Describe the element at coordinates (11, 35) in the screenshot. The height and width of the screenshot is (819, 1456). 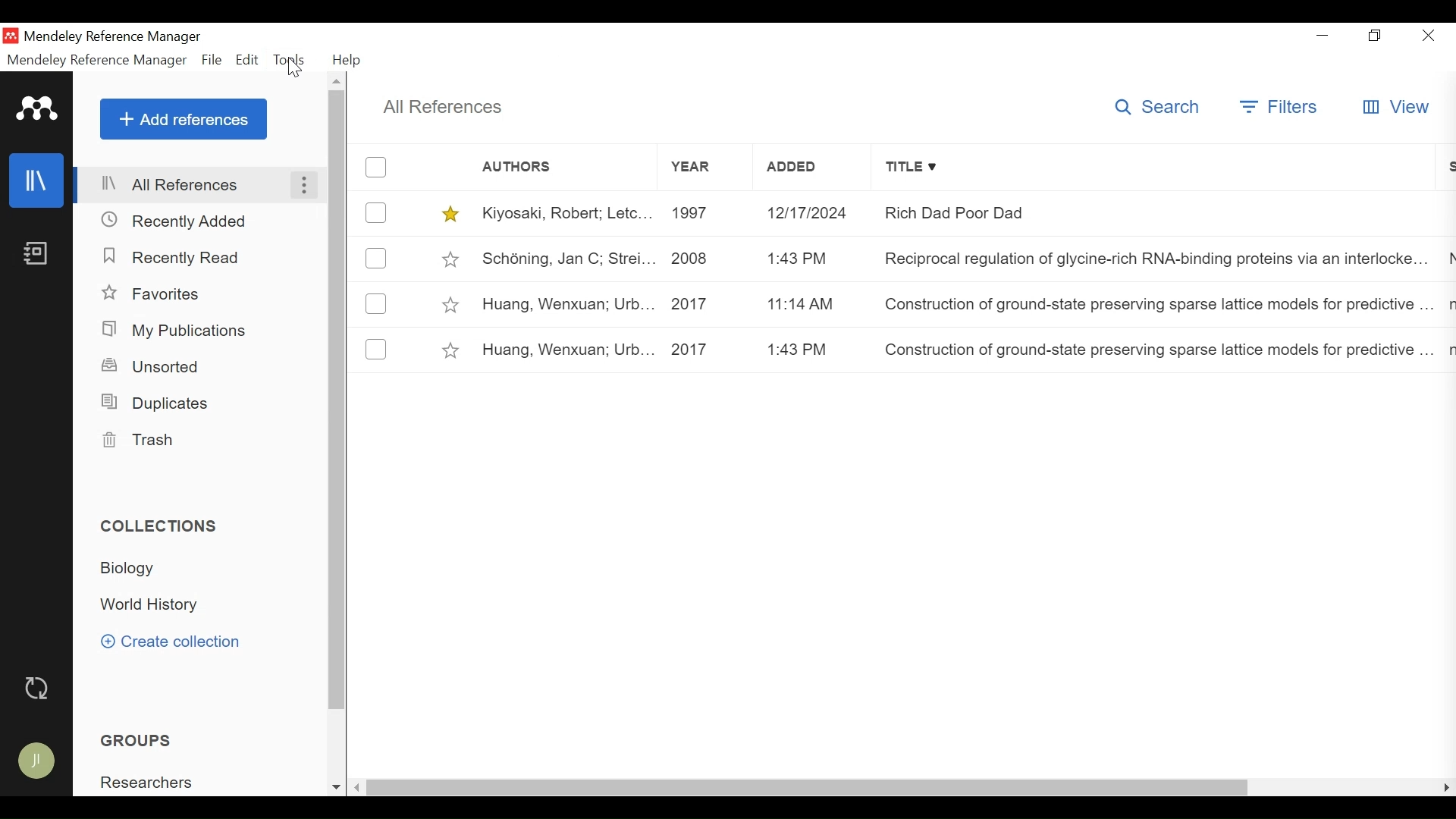
I see `Mendeley Desktop Icon` at that location.